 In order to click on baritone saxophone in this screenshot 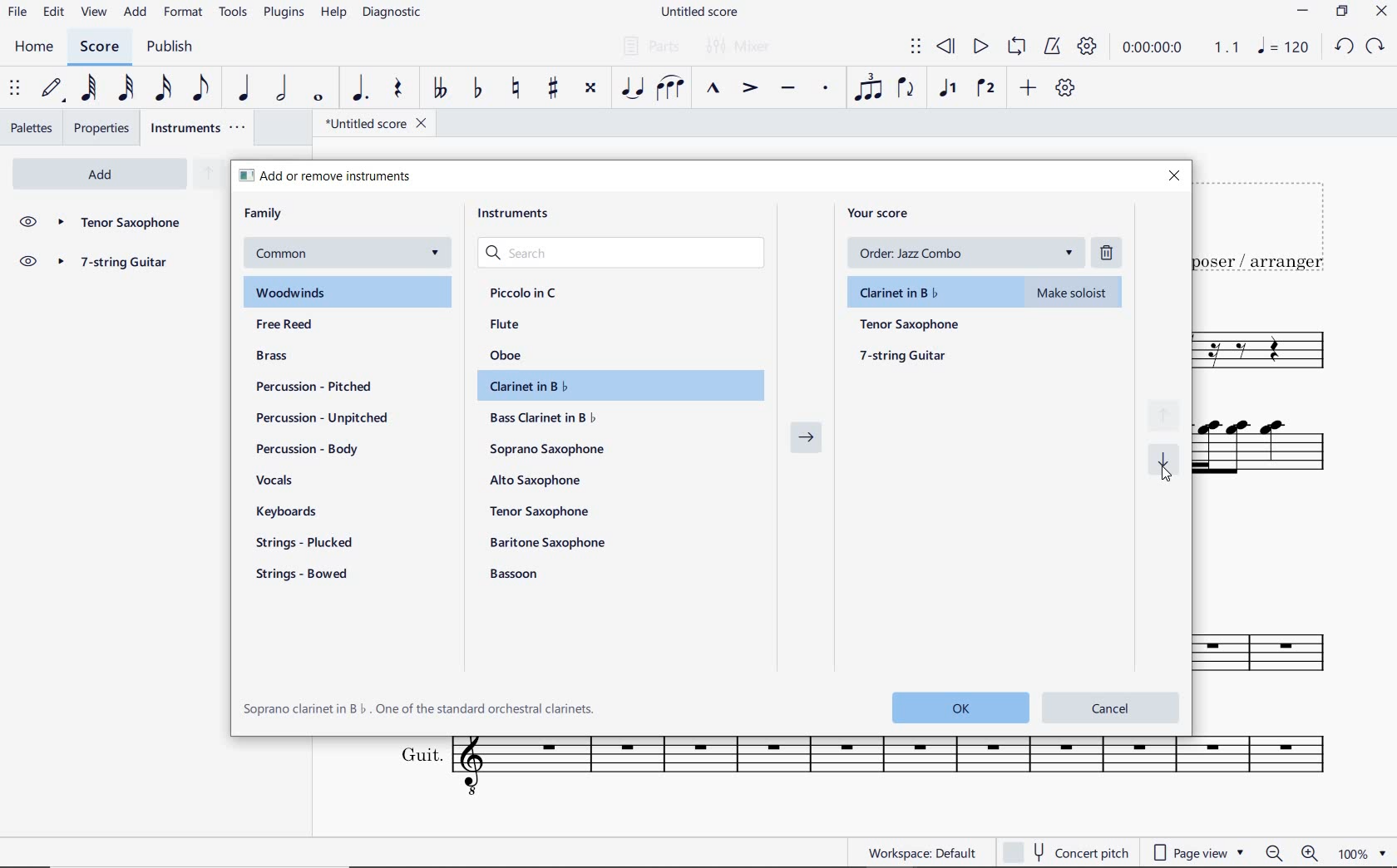, I will do `click(547, 542)`.